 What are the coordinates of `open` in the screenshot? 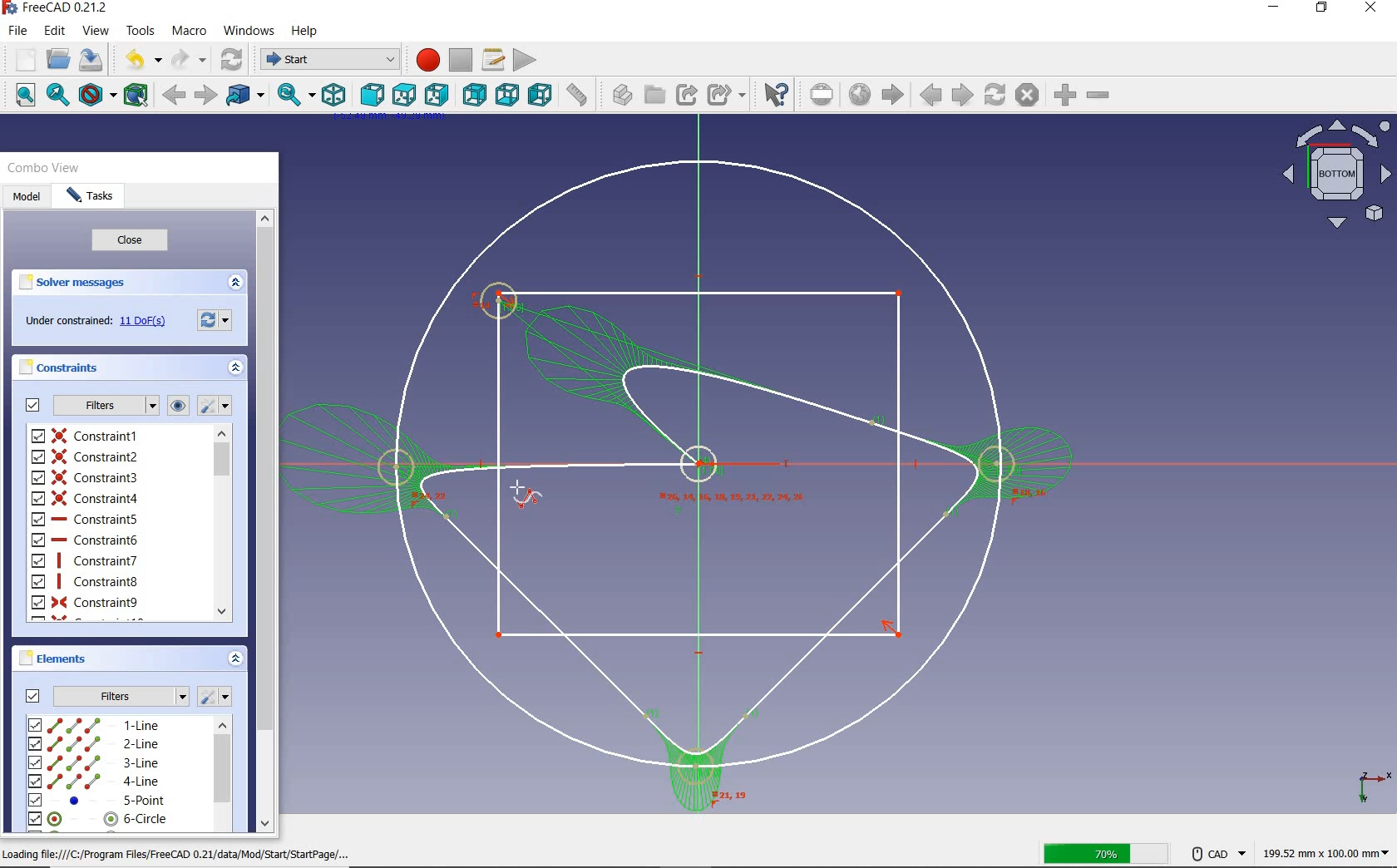 It's located at (59, 62).